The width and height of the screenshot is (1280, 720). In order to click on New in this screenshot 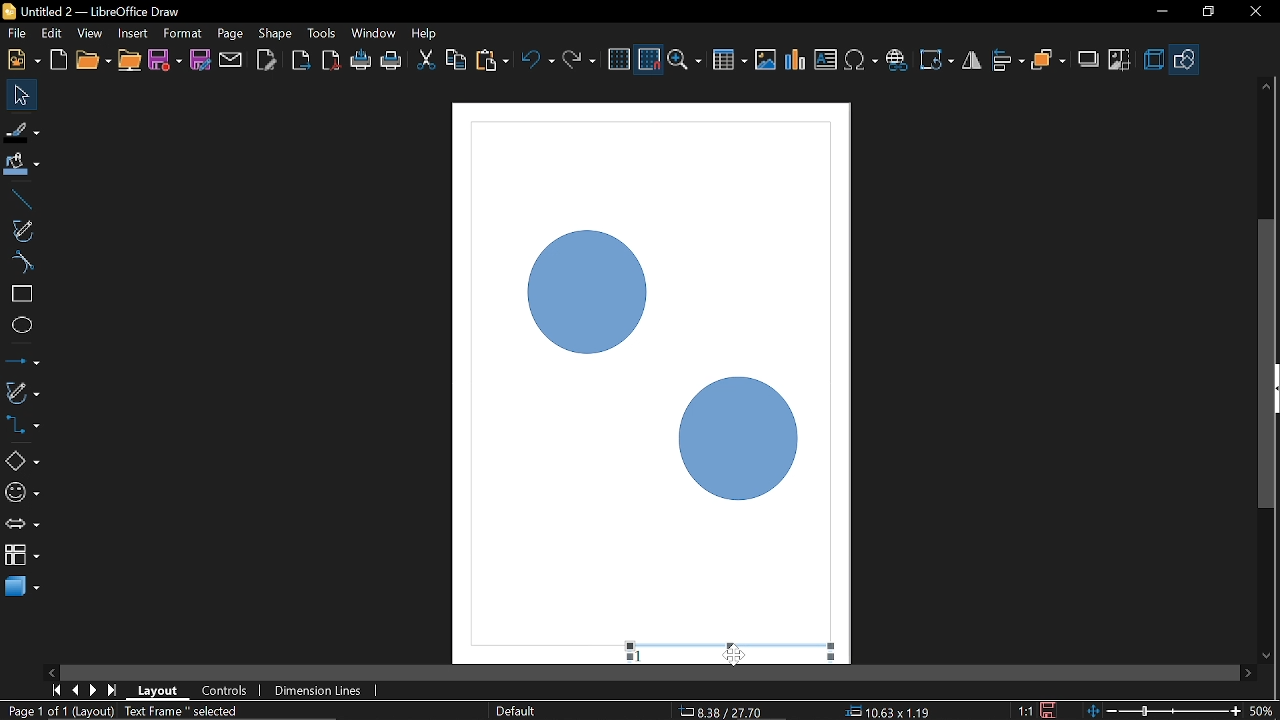, I will do `click(22, 60)`.